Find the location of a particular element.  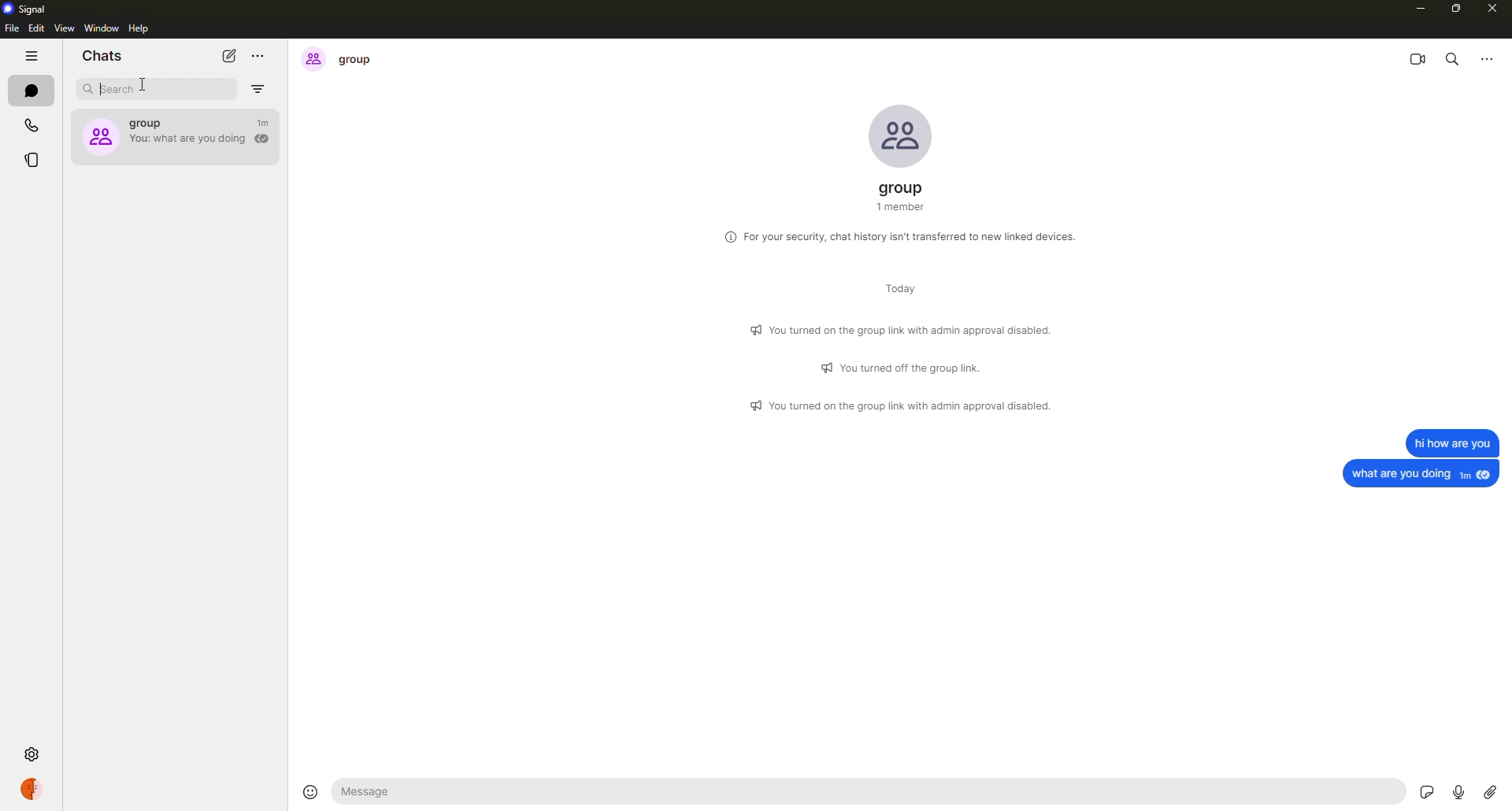

more is located at coordinates (1485, 57).